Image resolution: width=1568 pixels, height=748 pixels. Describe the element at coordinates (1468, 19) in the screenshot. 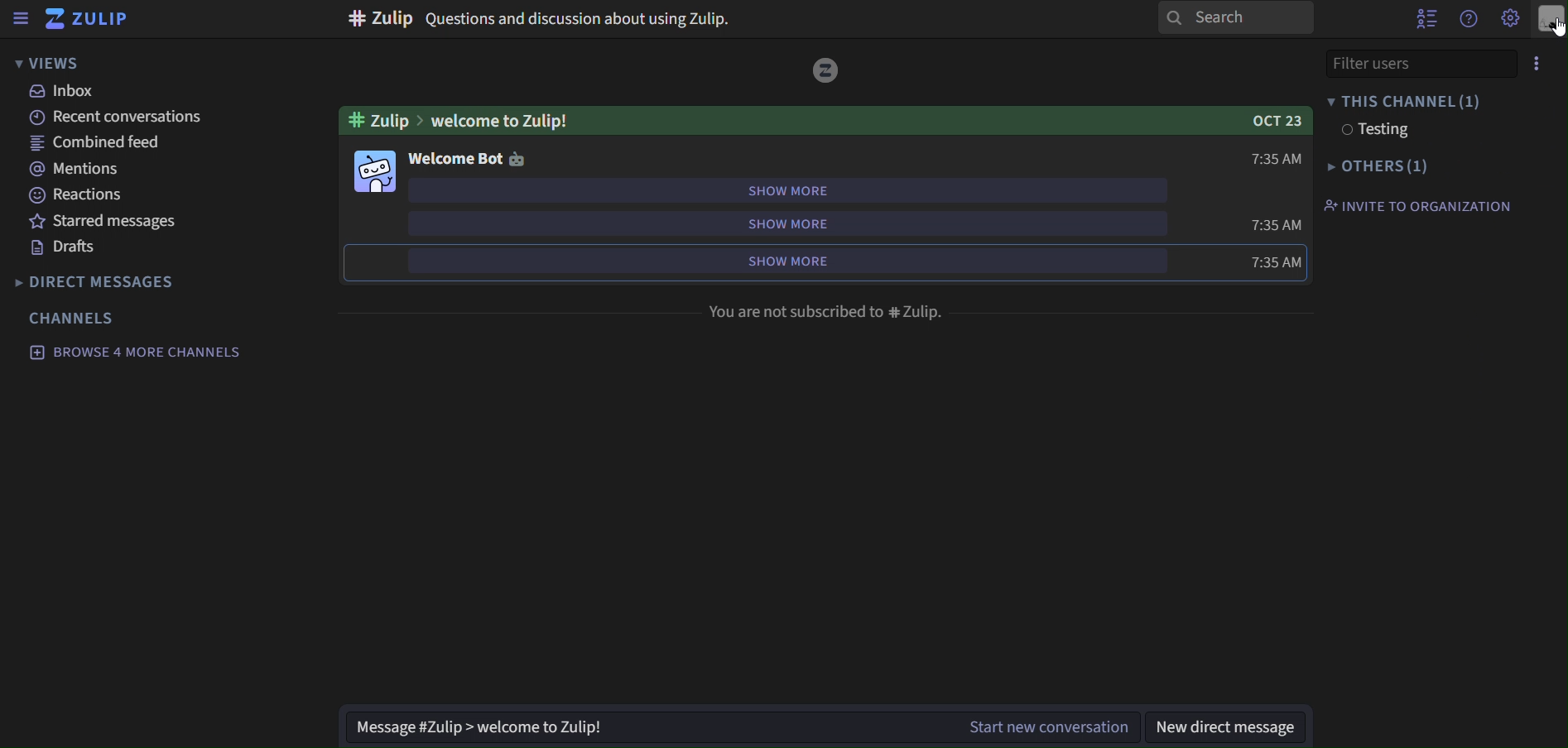

I see `get help` at that location.